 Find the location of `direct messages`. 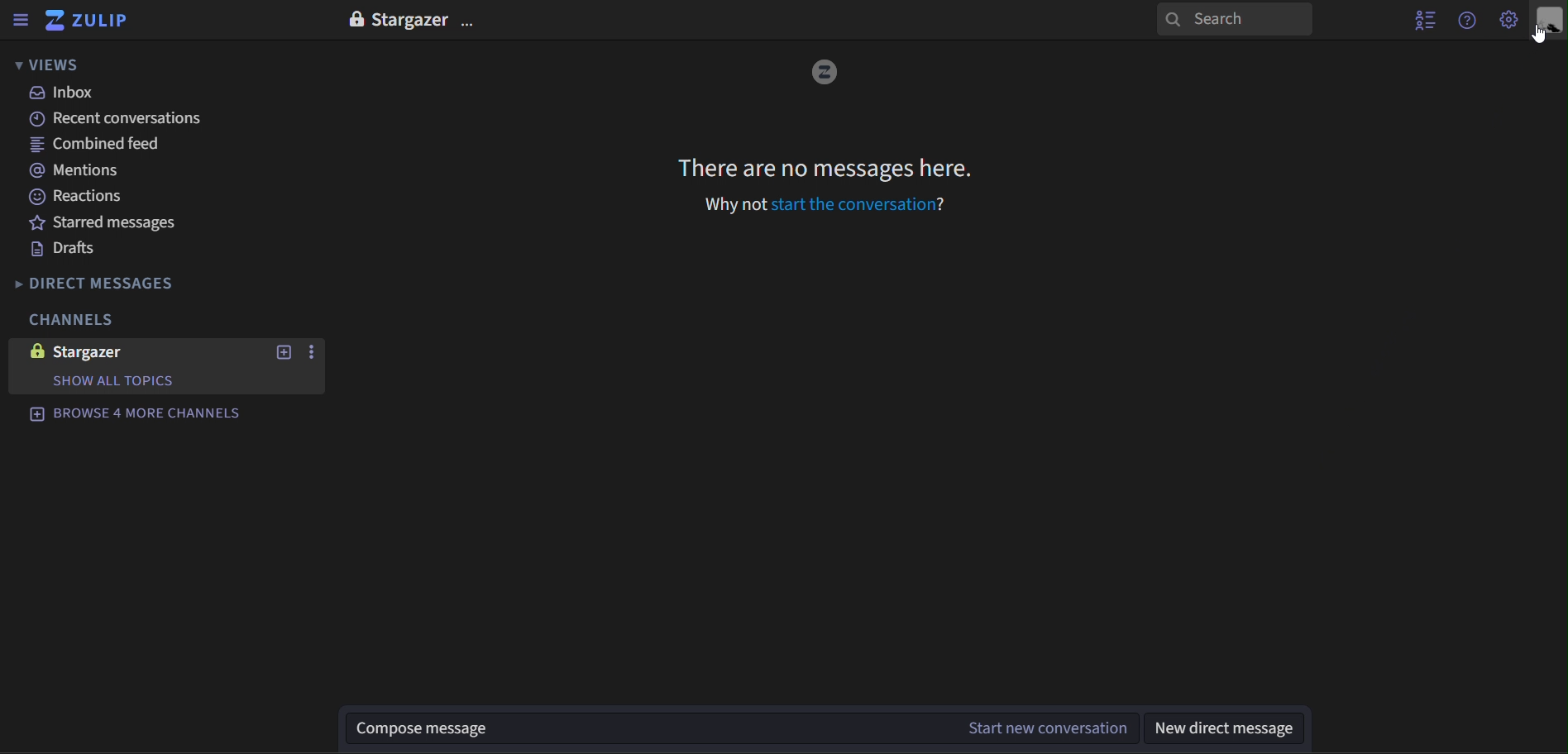

direct messages is located at coordinates (110, 282).